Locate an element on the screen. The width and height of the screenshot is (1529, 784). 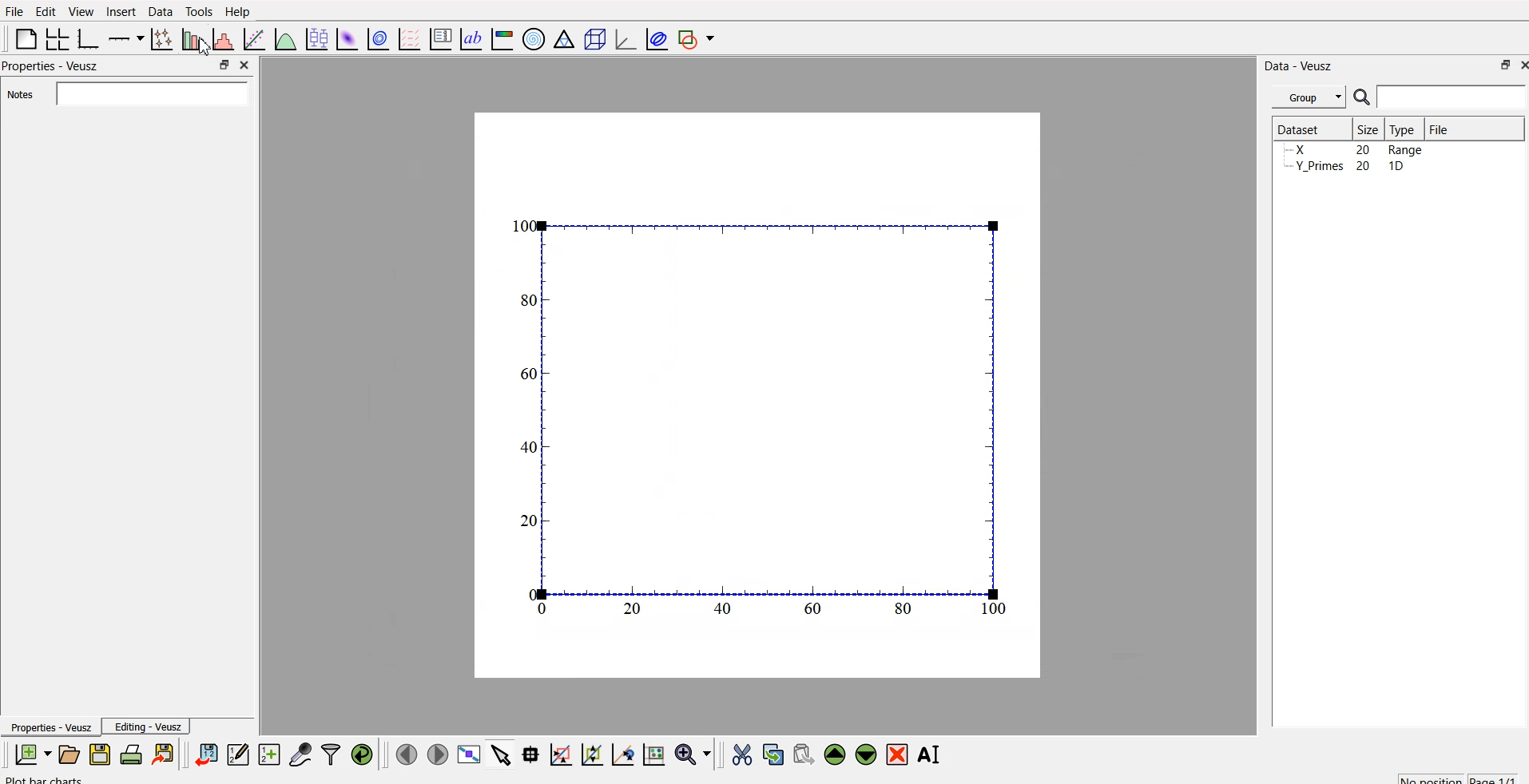
copy the widget is located at coordinates (772, 754).